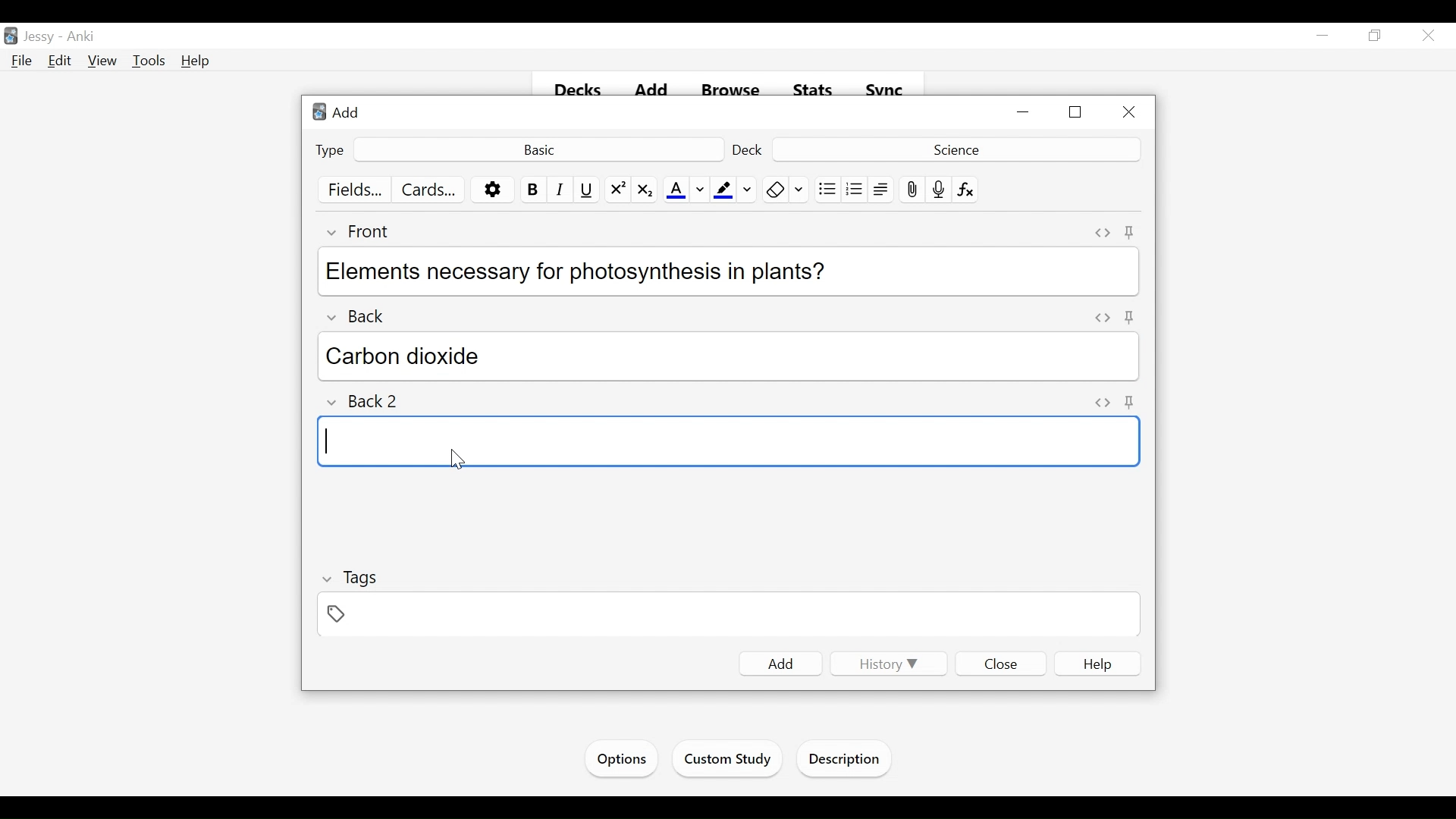  Describe the element at coordinates (733, 91) in the screenshot. I see `Browse` at that location.